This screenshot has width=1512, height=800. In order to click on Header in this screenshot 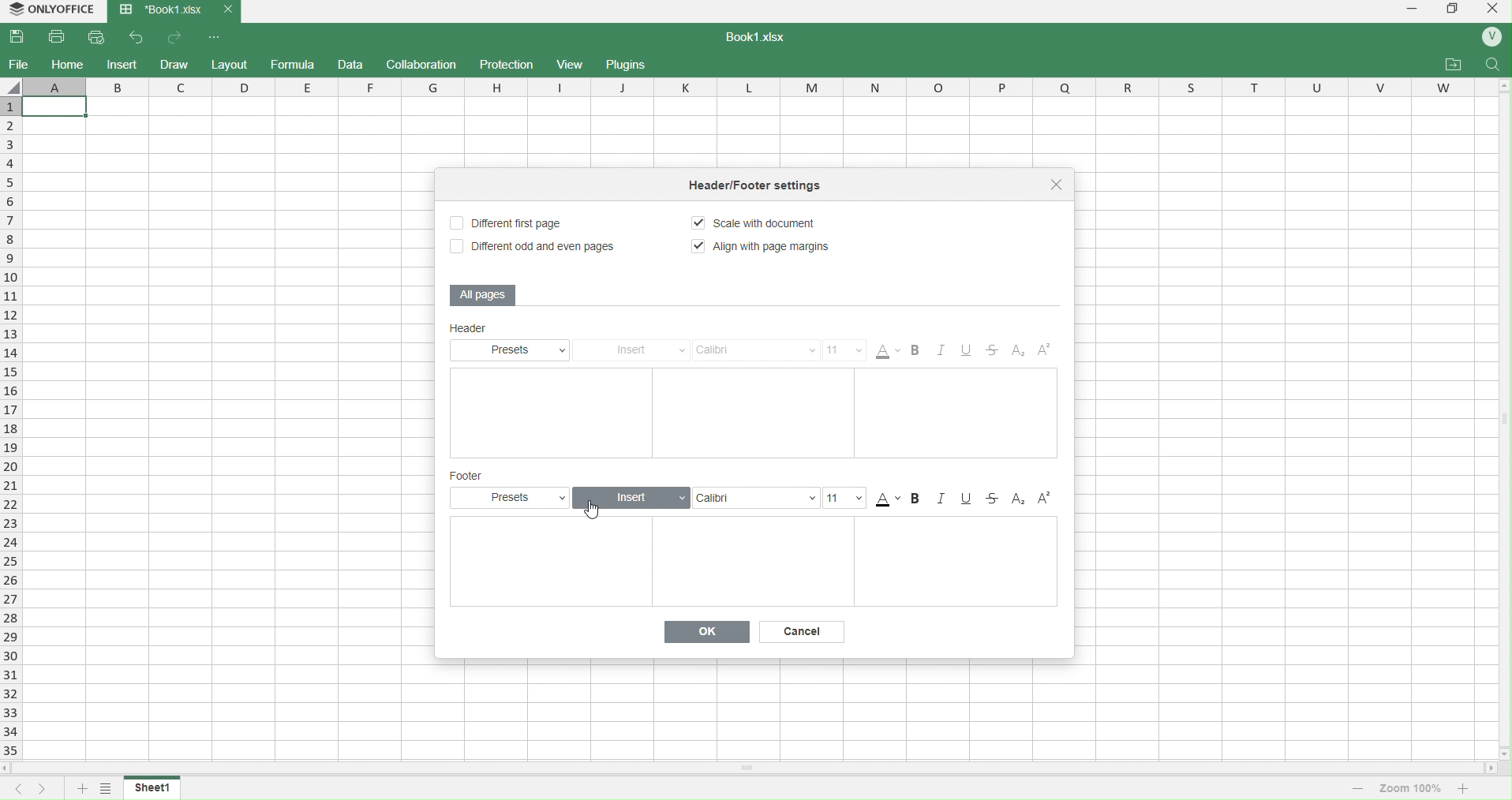, I will do `click(503, 330)`.